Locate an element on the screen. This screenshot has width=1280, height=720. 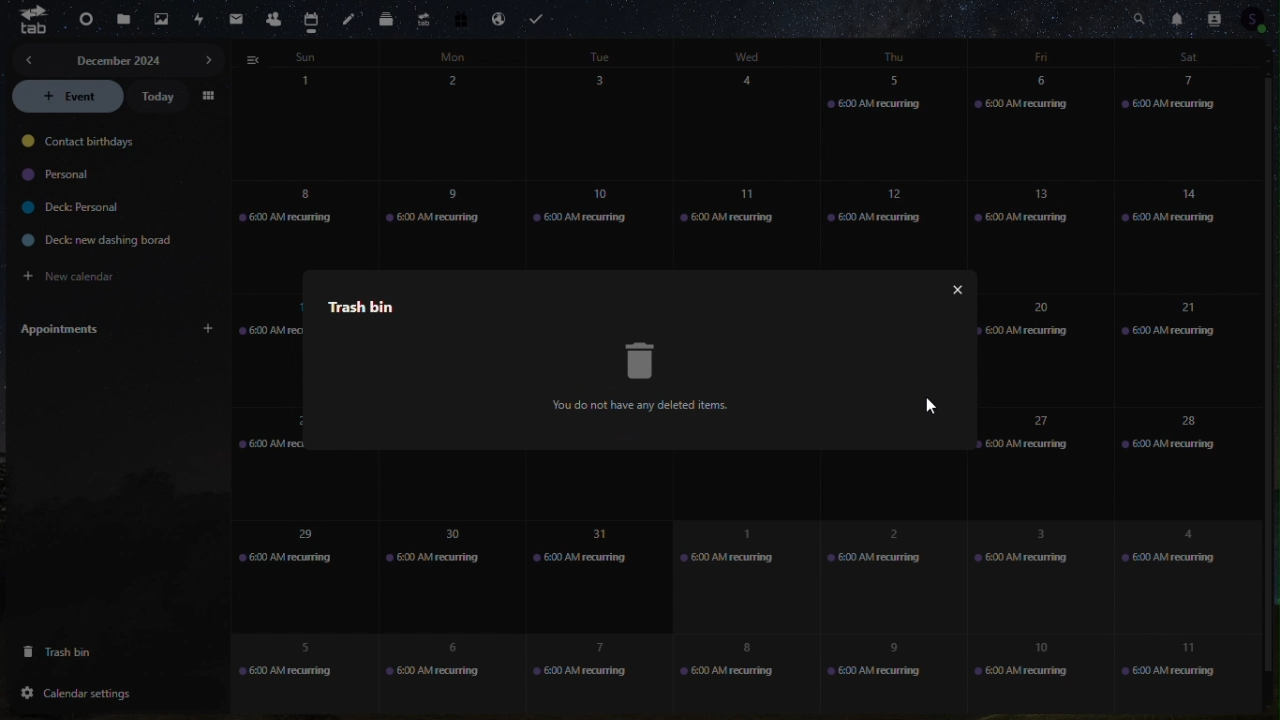
3 is located at coordinates (606, 125).